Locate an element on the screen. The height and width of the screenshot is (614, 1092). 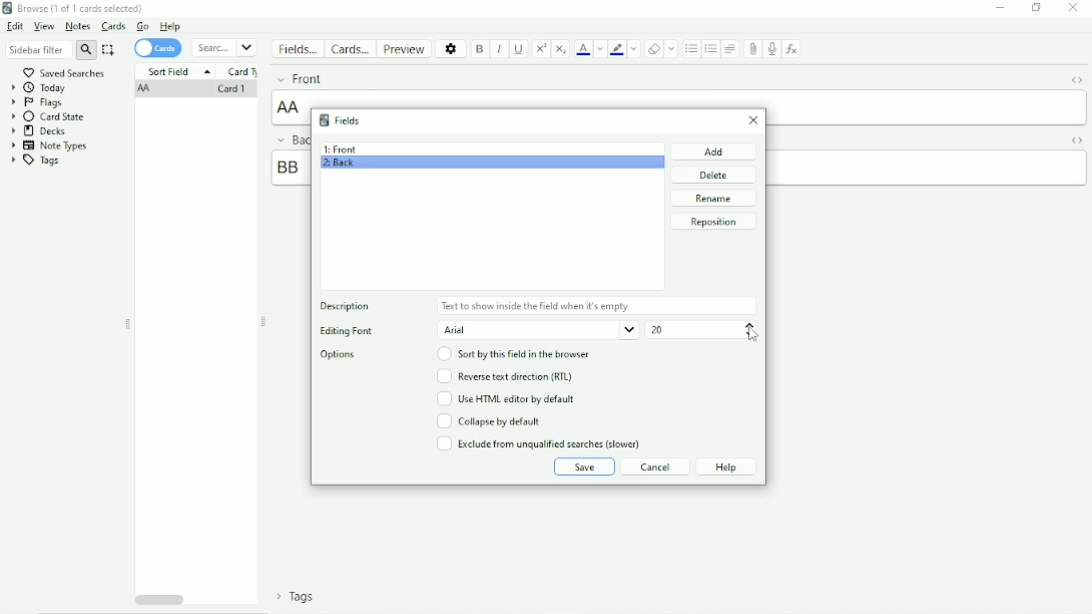
Flags is located at coordinates (37, 103).